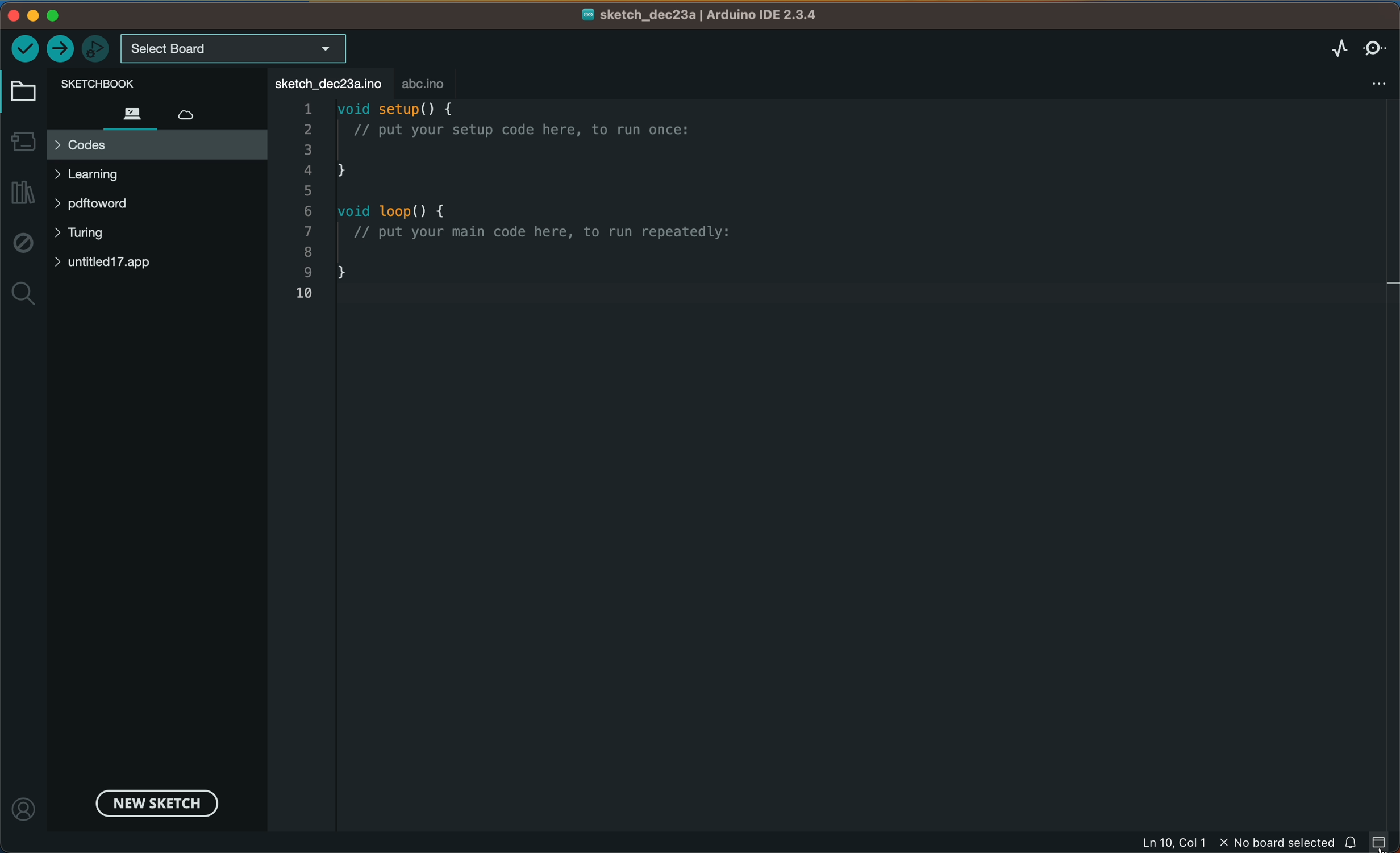  I want to click on search, so click(23, 294).